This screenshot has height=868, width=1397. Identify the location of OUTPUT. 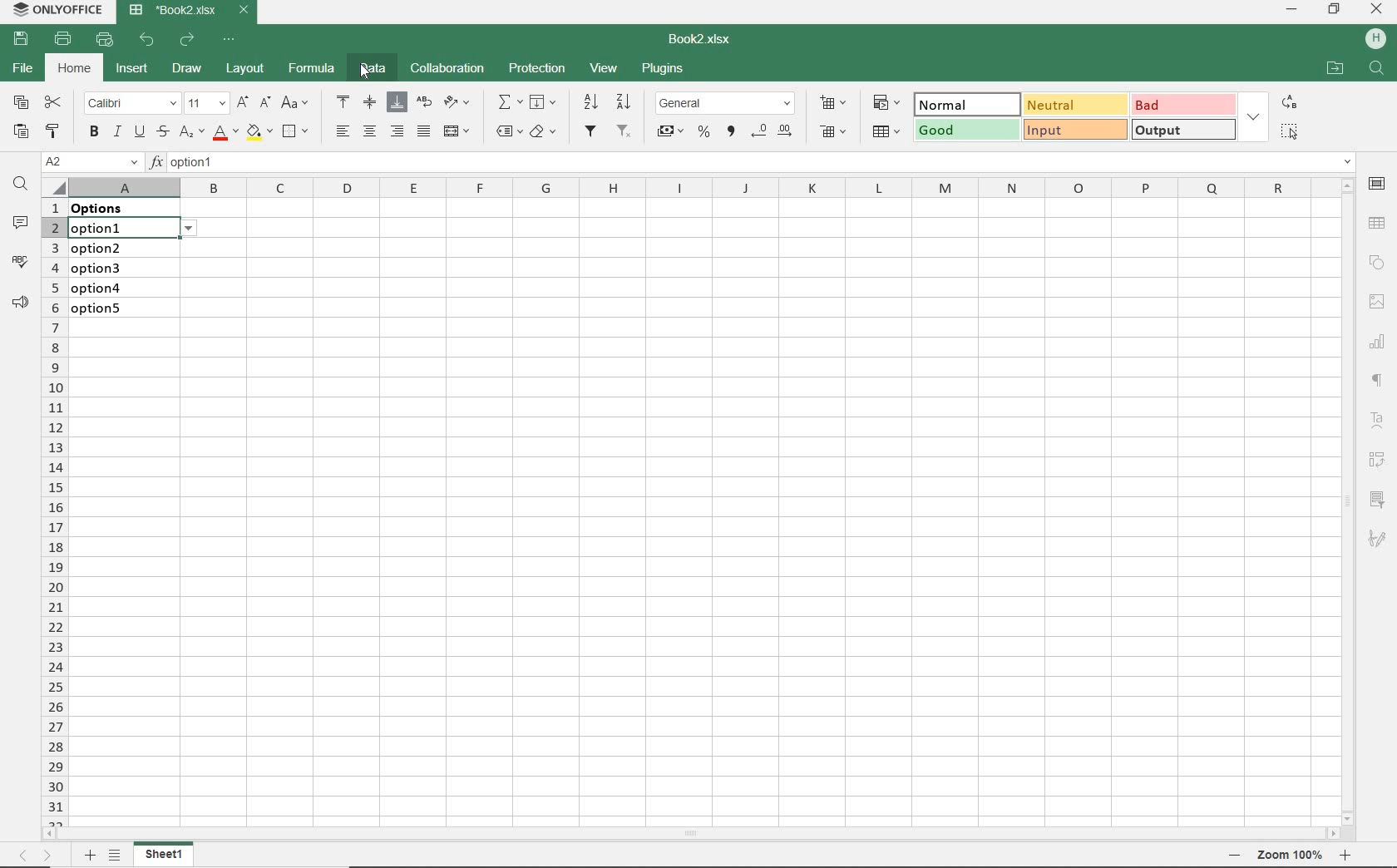
(1183, 129).